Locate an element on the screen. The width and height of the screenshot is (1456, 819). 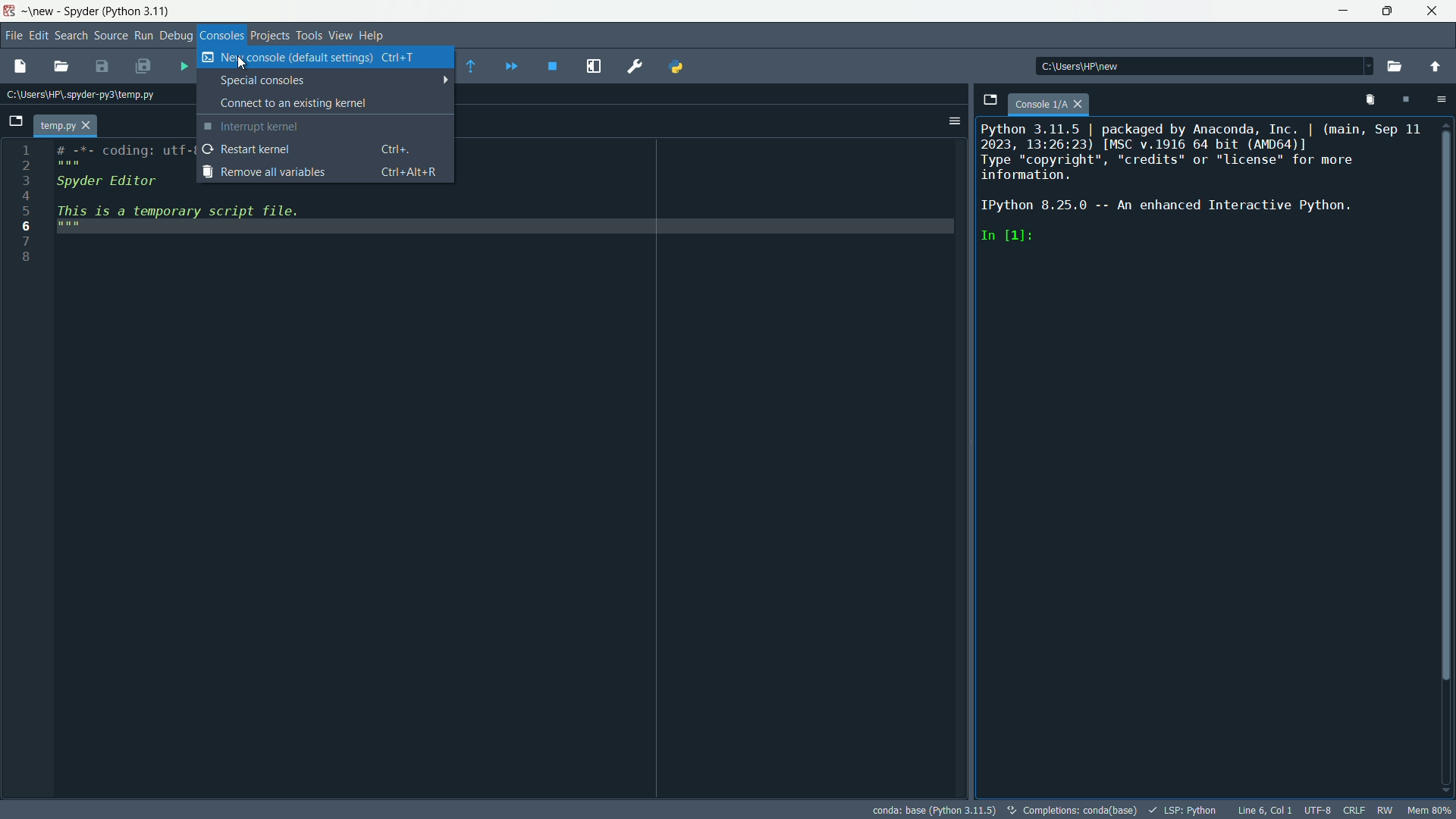
file menu is located at coordinates (13, 35).